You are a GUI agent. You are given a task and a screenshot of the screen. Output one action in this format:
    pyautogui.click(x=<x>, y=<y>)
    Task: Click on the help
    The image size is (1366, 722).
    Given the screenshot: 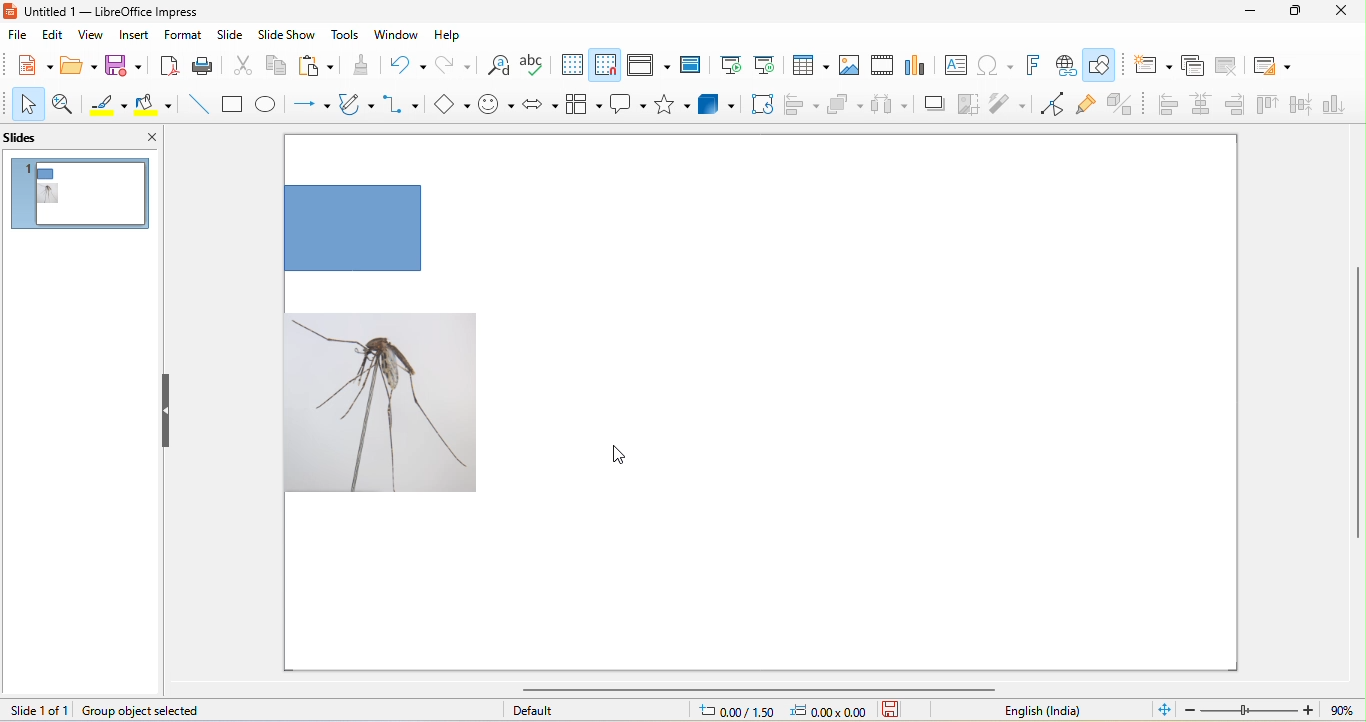 What is the action you would take?
    pyautogui.click(x=452, y=38)
    